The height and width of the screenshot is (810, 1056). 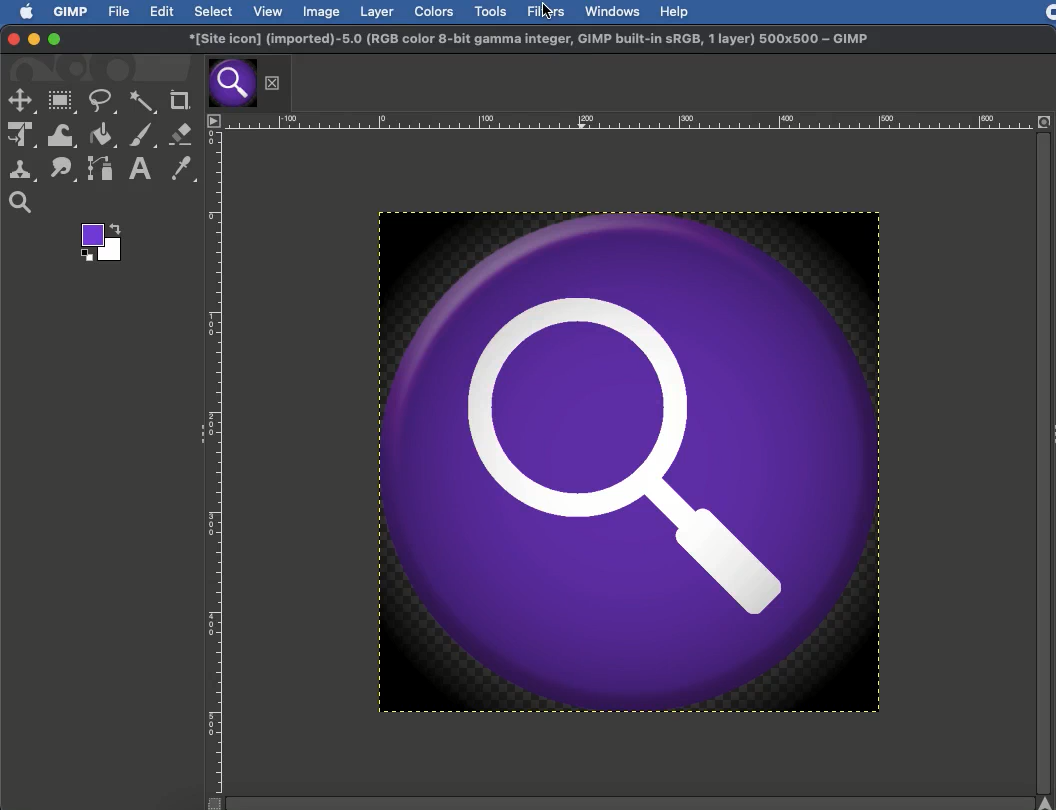 What do you see at coordinates (19, 204) in the screenshot?
I see `Magnify` at bounding box center [19, 204].